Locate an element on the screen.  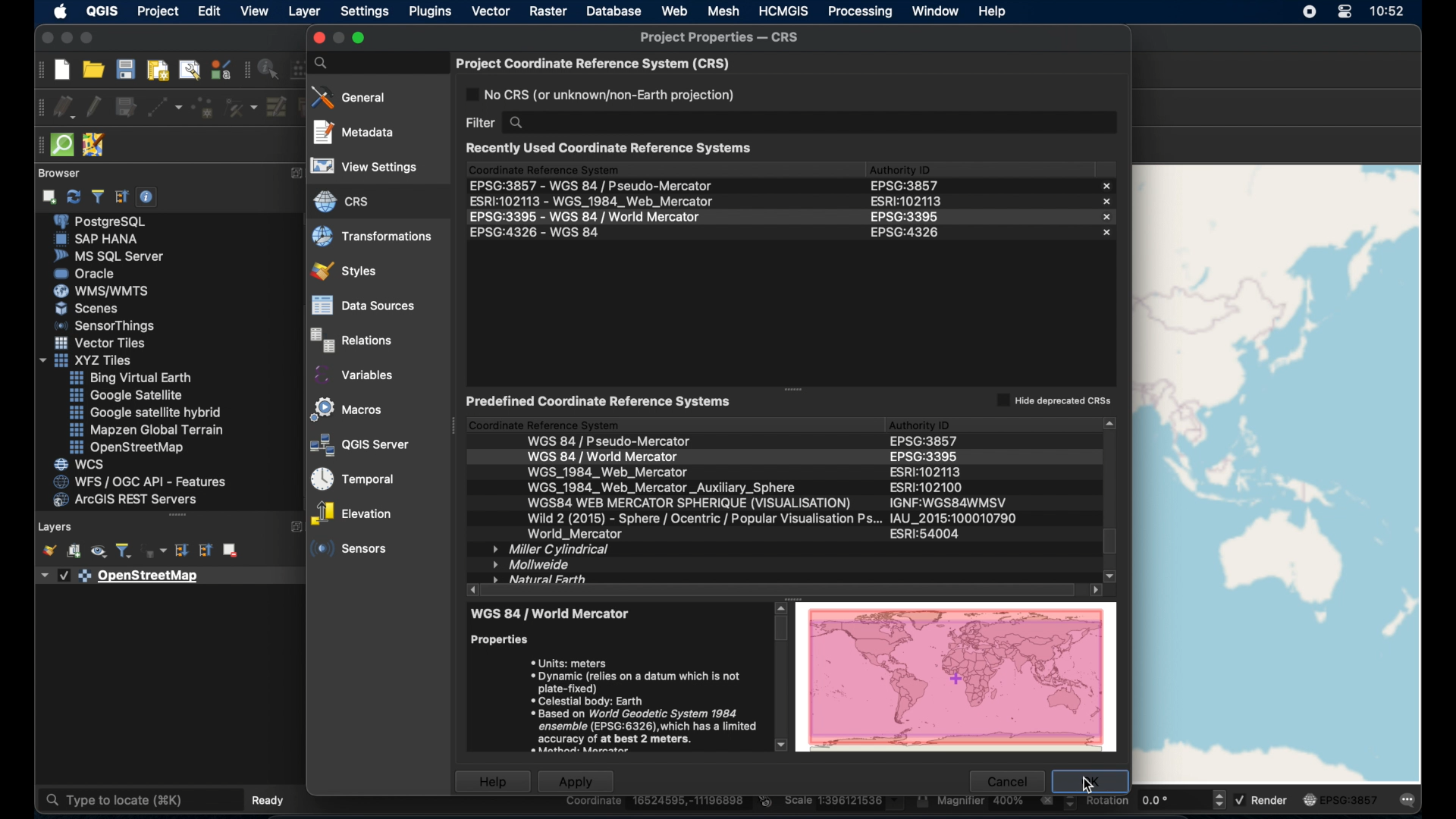
show layout manager is located at coordinates (187, 71).